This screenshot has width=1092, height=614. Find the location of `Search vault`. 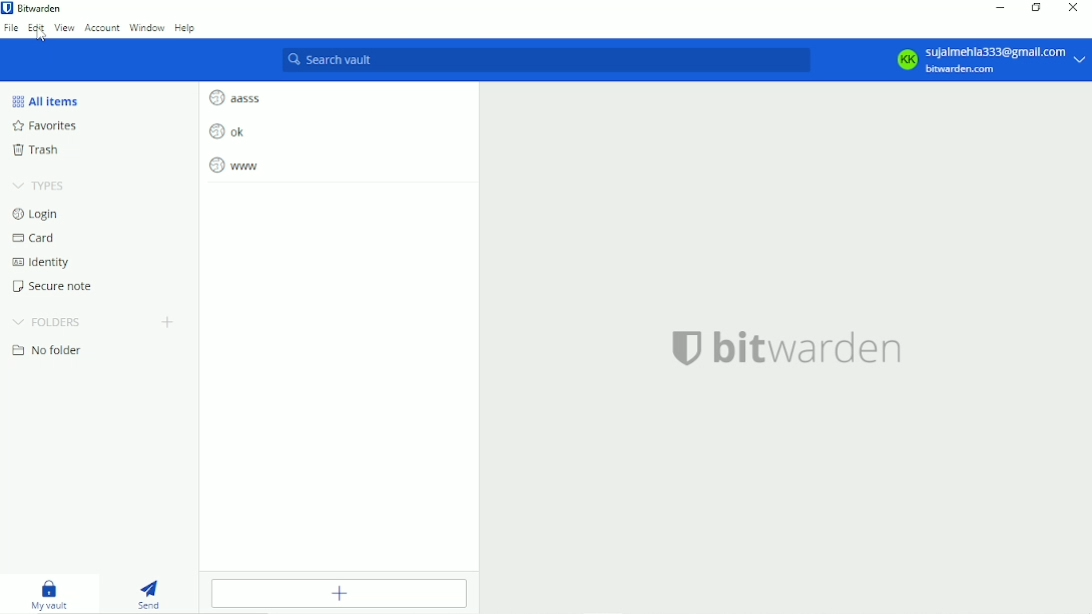

Search vault is located at coordinates (542, 62).